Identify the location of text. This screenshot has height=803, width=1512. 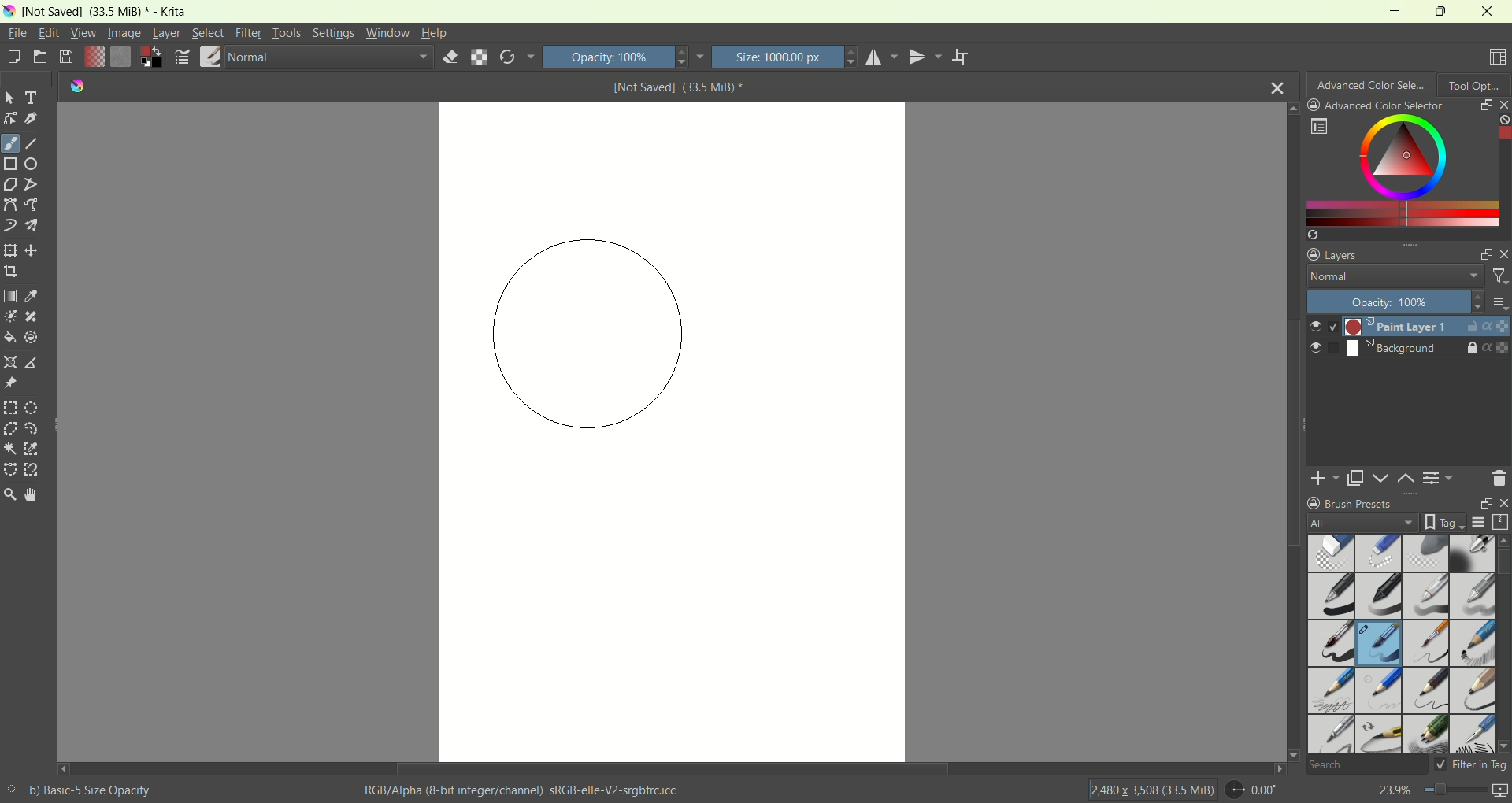
(33, 98).